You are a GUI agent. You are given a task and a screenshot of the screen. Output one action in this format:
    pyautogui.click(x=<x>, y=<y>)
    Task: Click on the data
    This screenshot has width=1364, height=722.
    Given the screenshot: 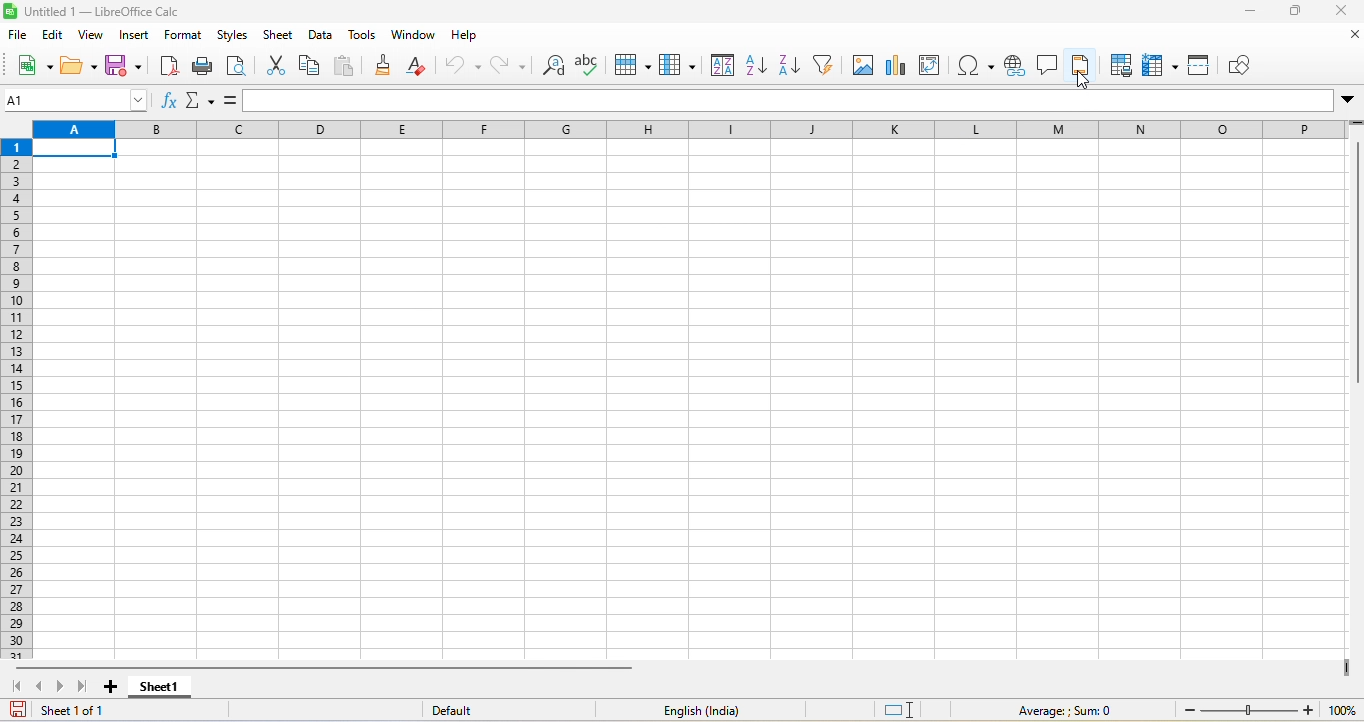 What is the action you would take?
    pyautogui.click(x=322, y=39)
    